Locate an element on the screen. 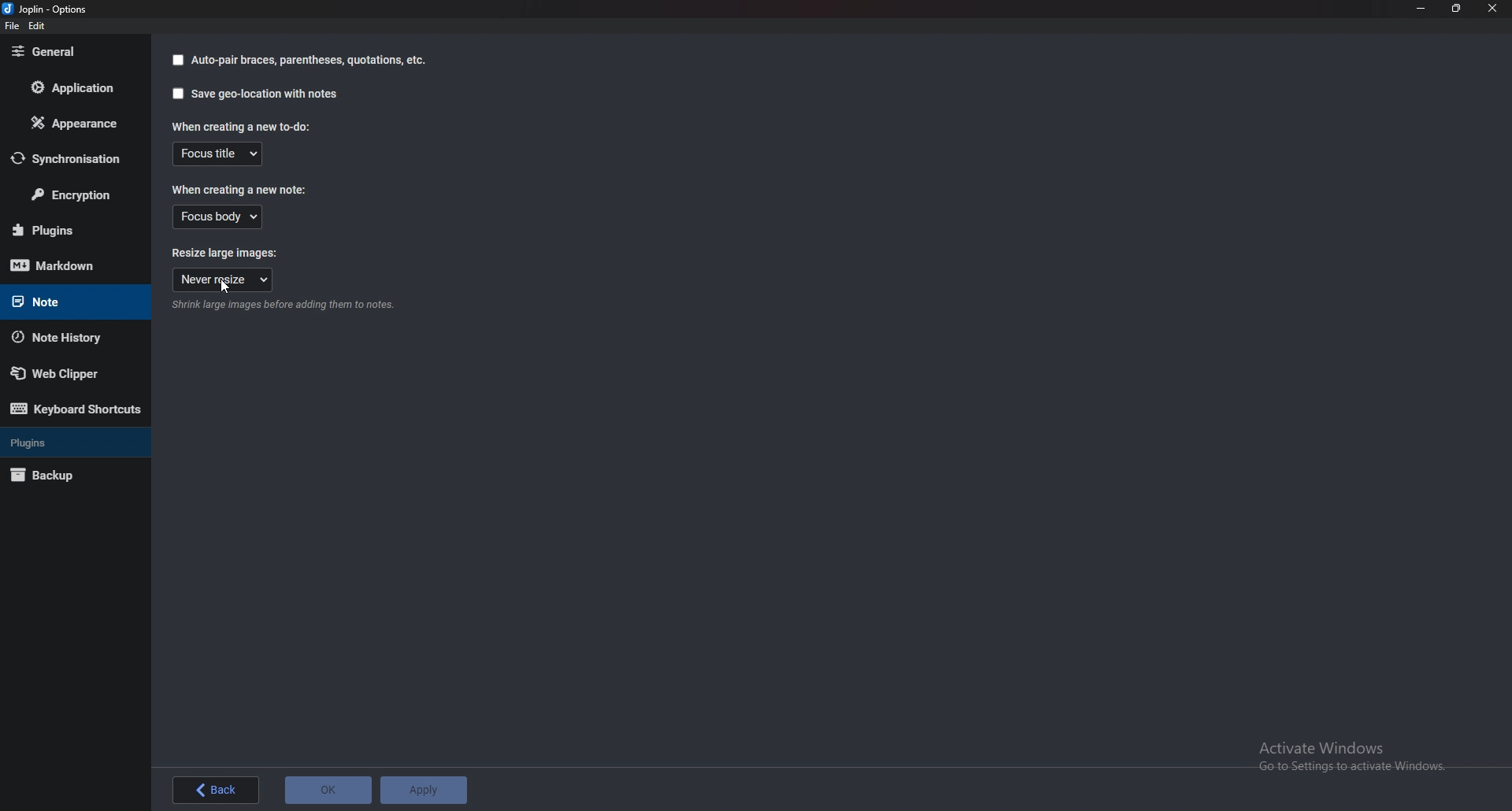 This screenshot has height=811, width=1512. encryption is located at coordinates (71, 192).